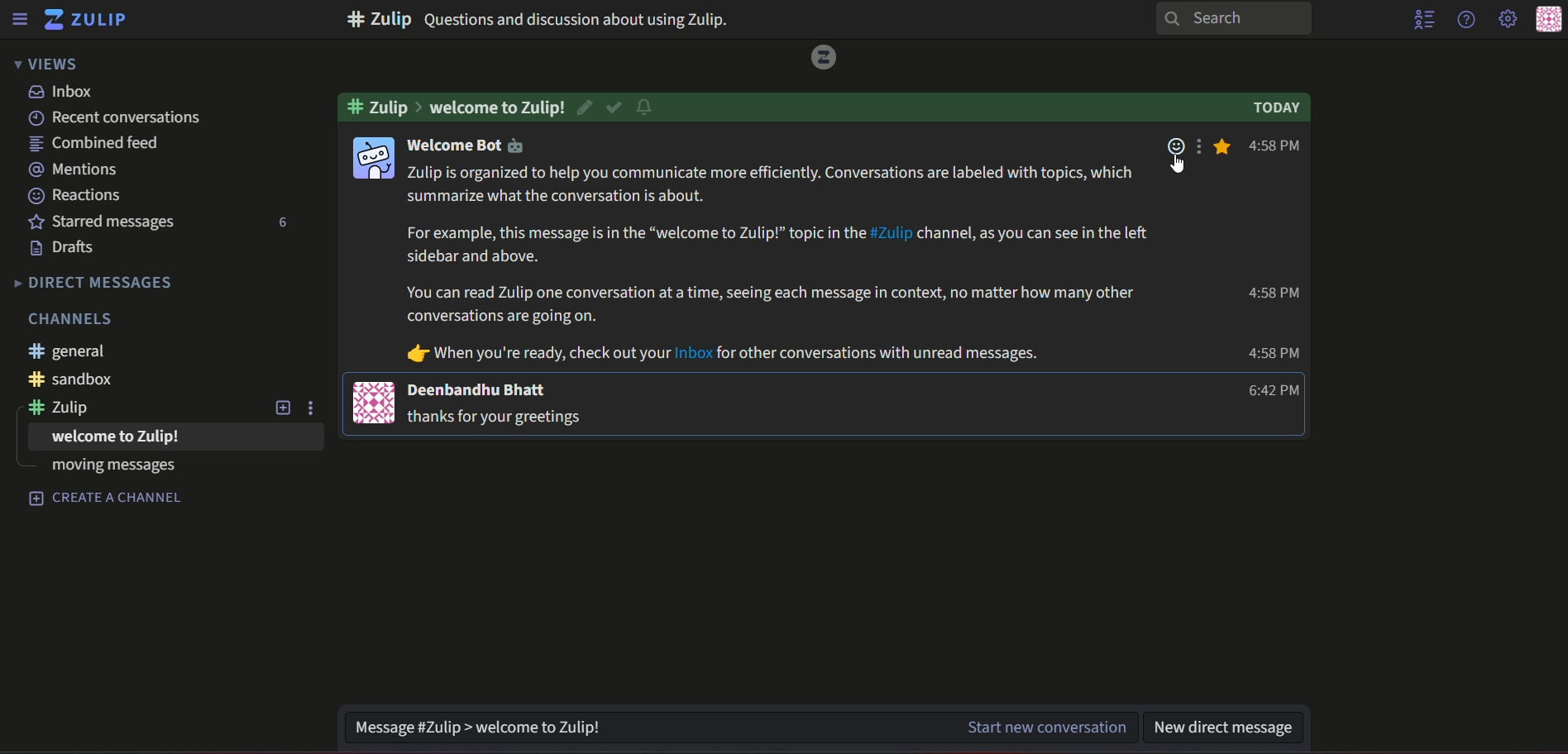 The height and width of the screenshot is (754, 1568). What do you see at coordinates (480, 389) in the screenshot?
I see `Deenbandhu Bhatt` at bounding box center [480, 389].